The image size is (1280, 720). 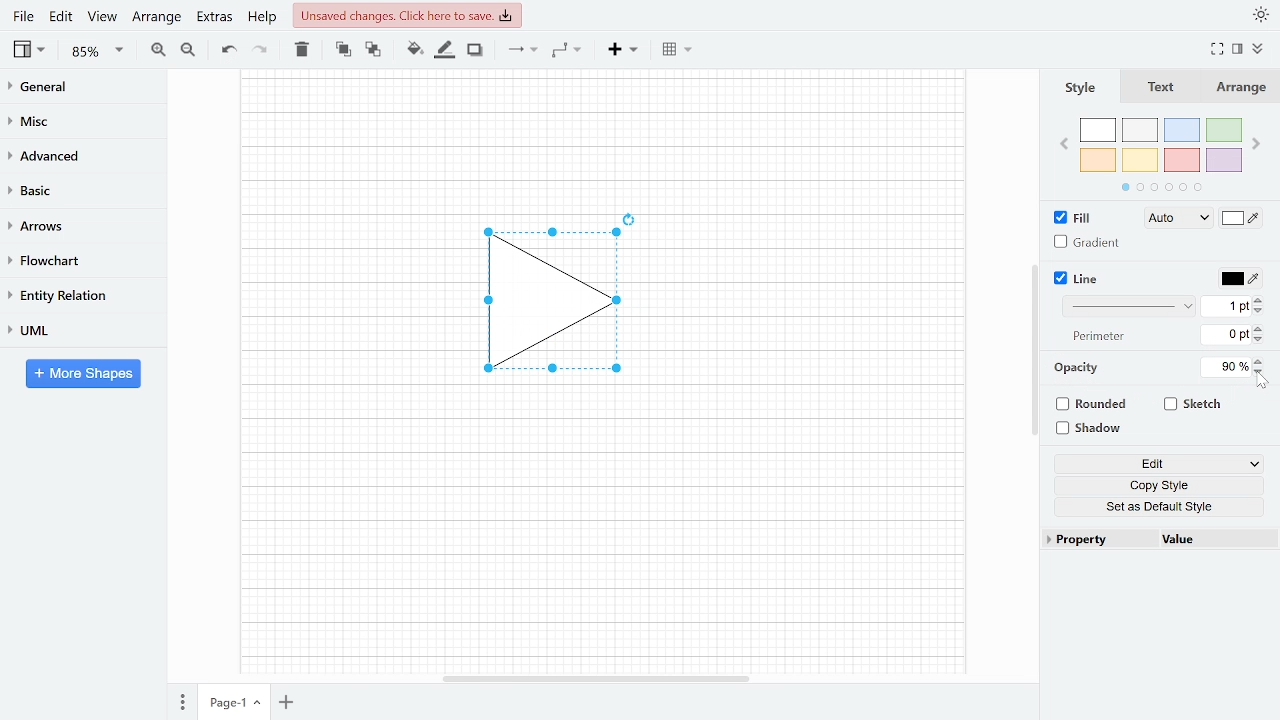 What do you see at coordinates (1132, 306) in the screenshot?
I see `Line style` at bounding box center [1132, 306].